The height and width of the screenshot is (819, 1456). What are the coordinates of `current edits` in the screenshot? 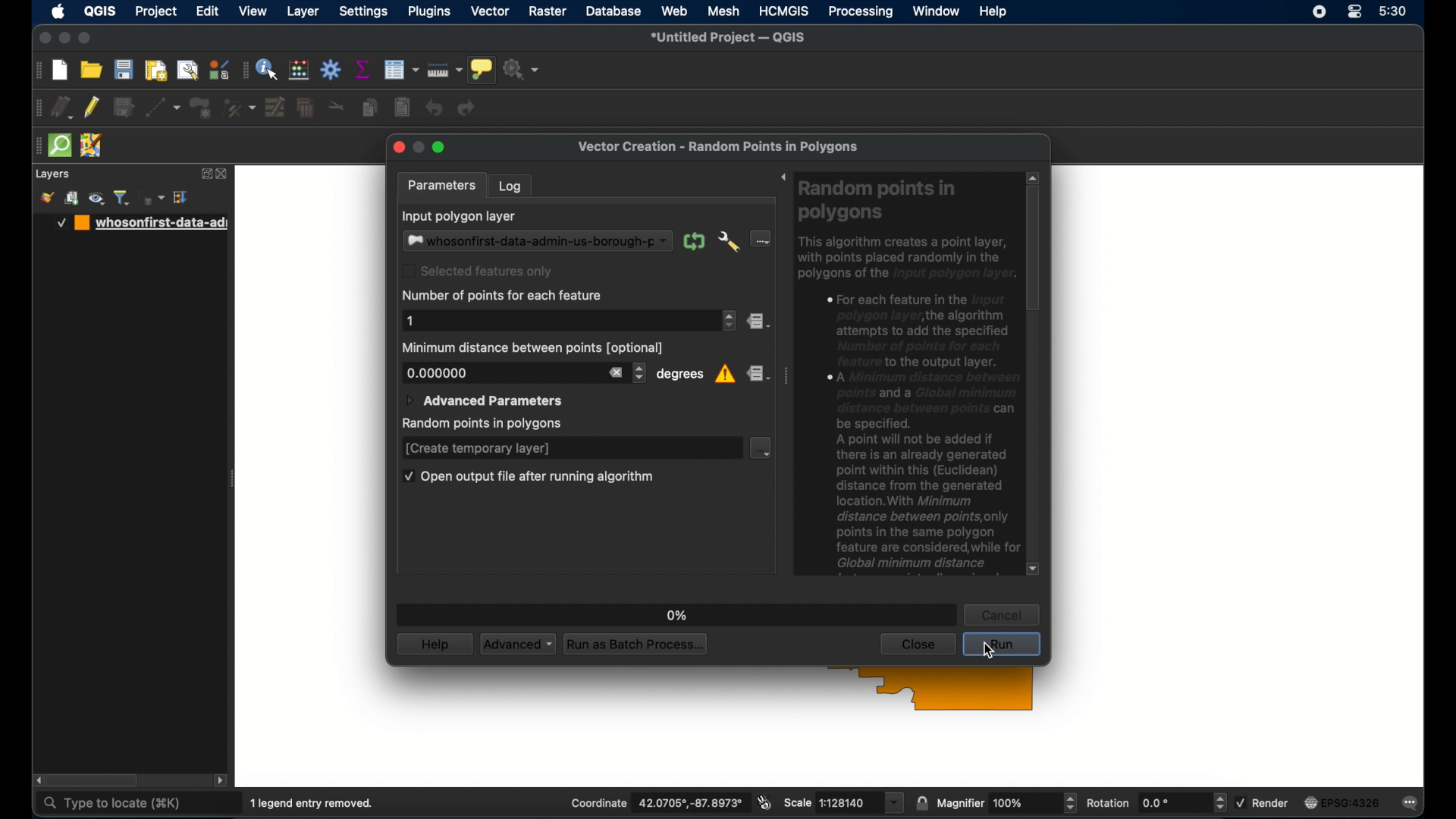 It's located at (61, 108).